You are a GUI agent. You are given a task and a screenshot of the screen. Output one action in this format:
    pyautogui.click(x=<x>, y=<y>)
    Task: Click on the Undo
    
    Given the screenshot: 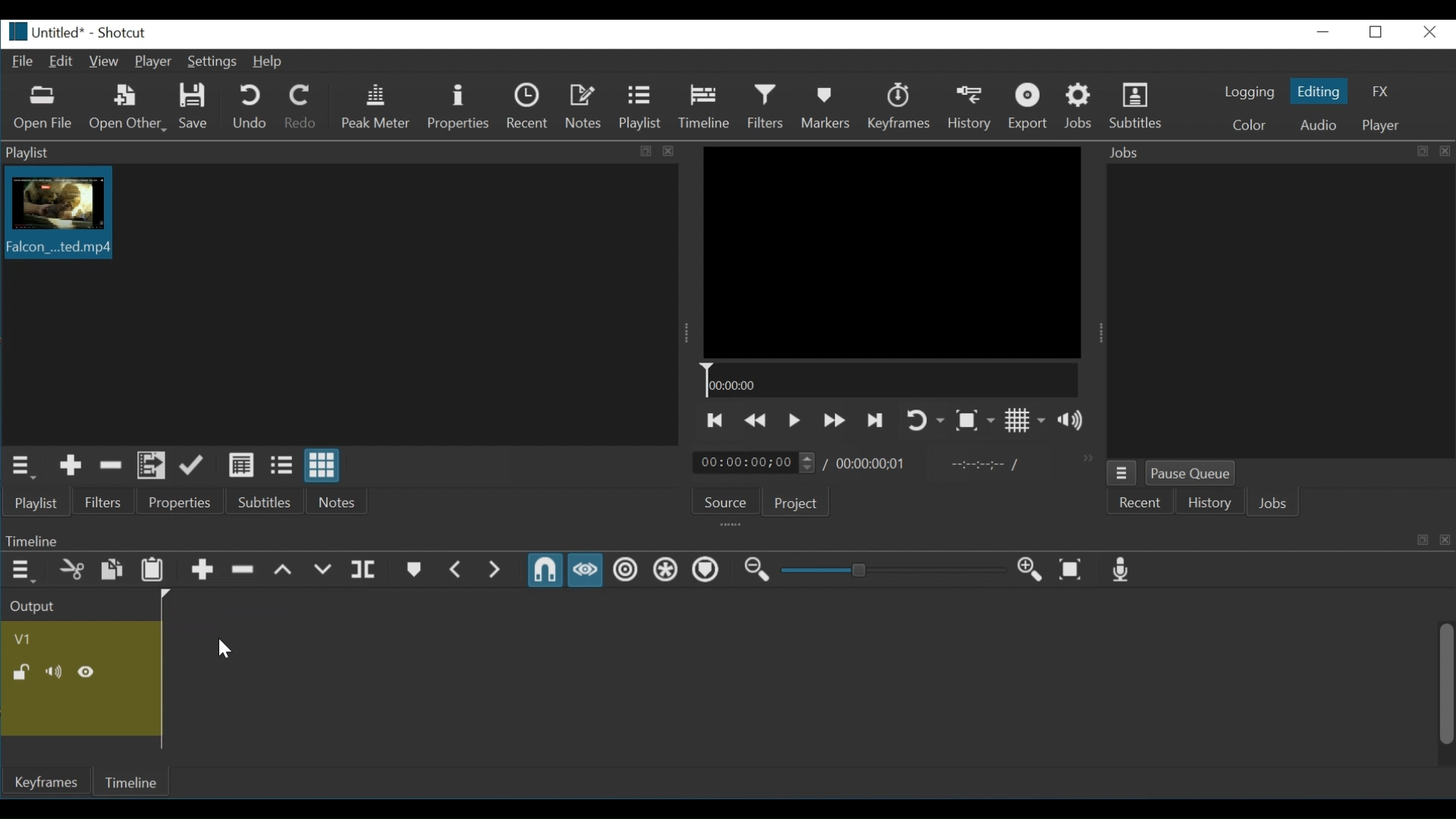 What is the action you would take?
    pyautogui.click(x=252, y=106)
    